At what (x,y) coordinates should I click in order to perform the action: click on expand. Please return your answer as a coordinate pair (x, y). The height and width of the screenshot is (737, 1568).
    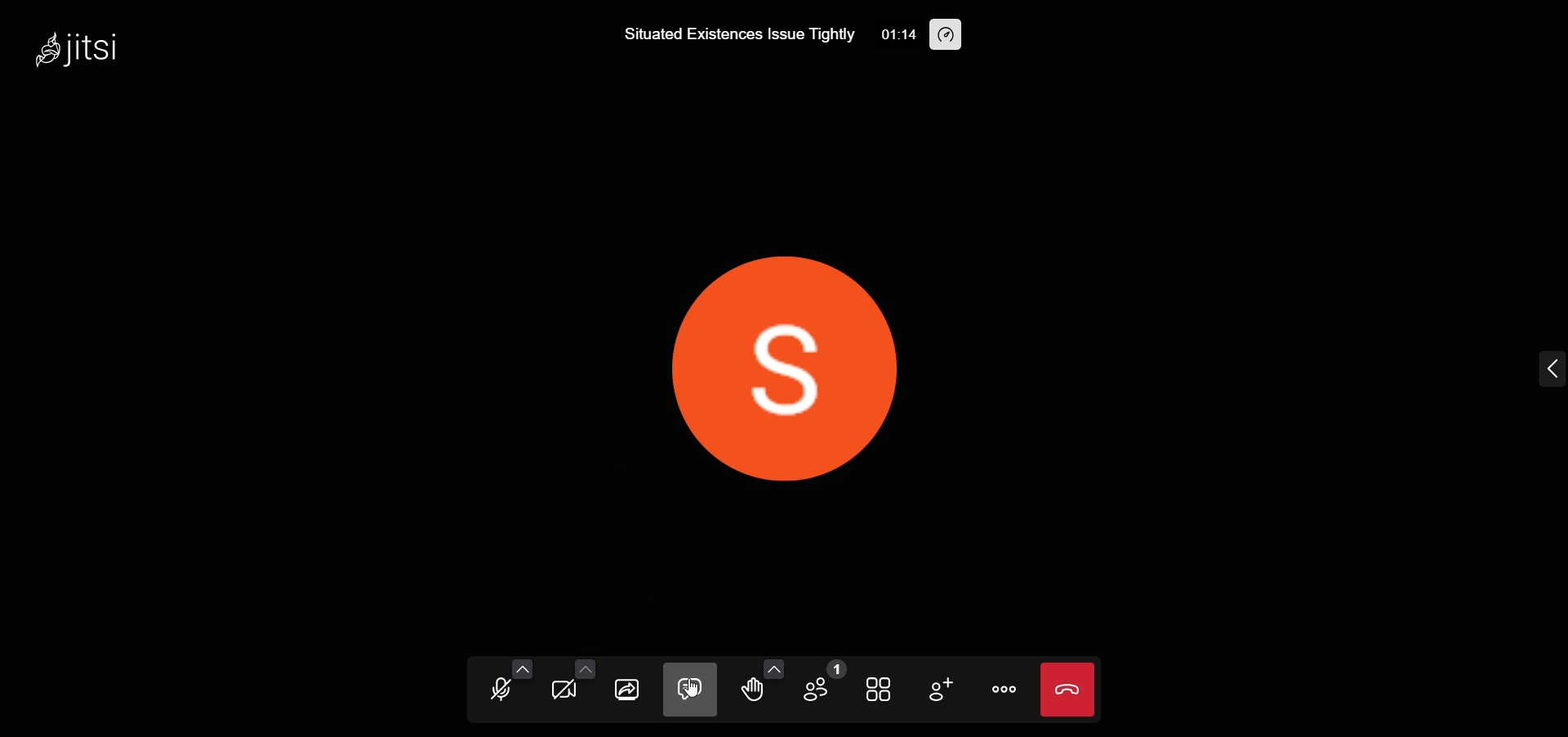
    Looking at the image, I should click on (1547, 369).